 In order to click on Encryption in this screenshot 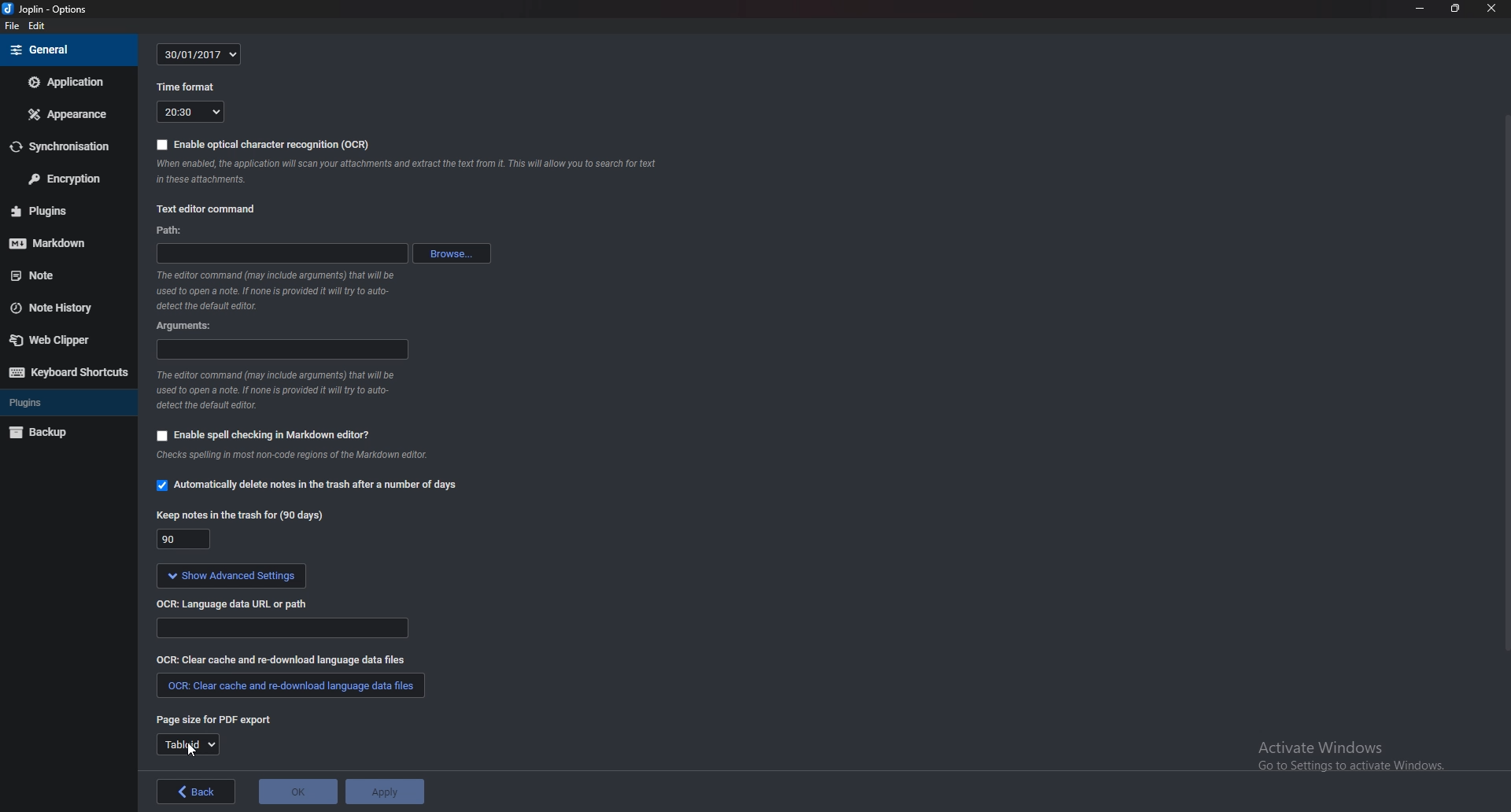, I will do `click(64, 179)`.